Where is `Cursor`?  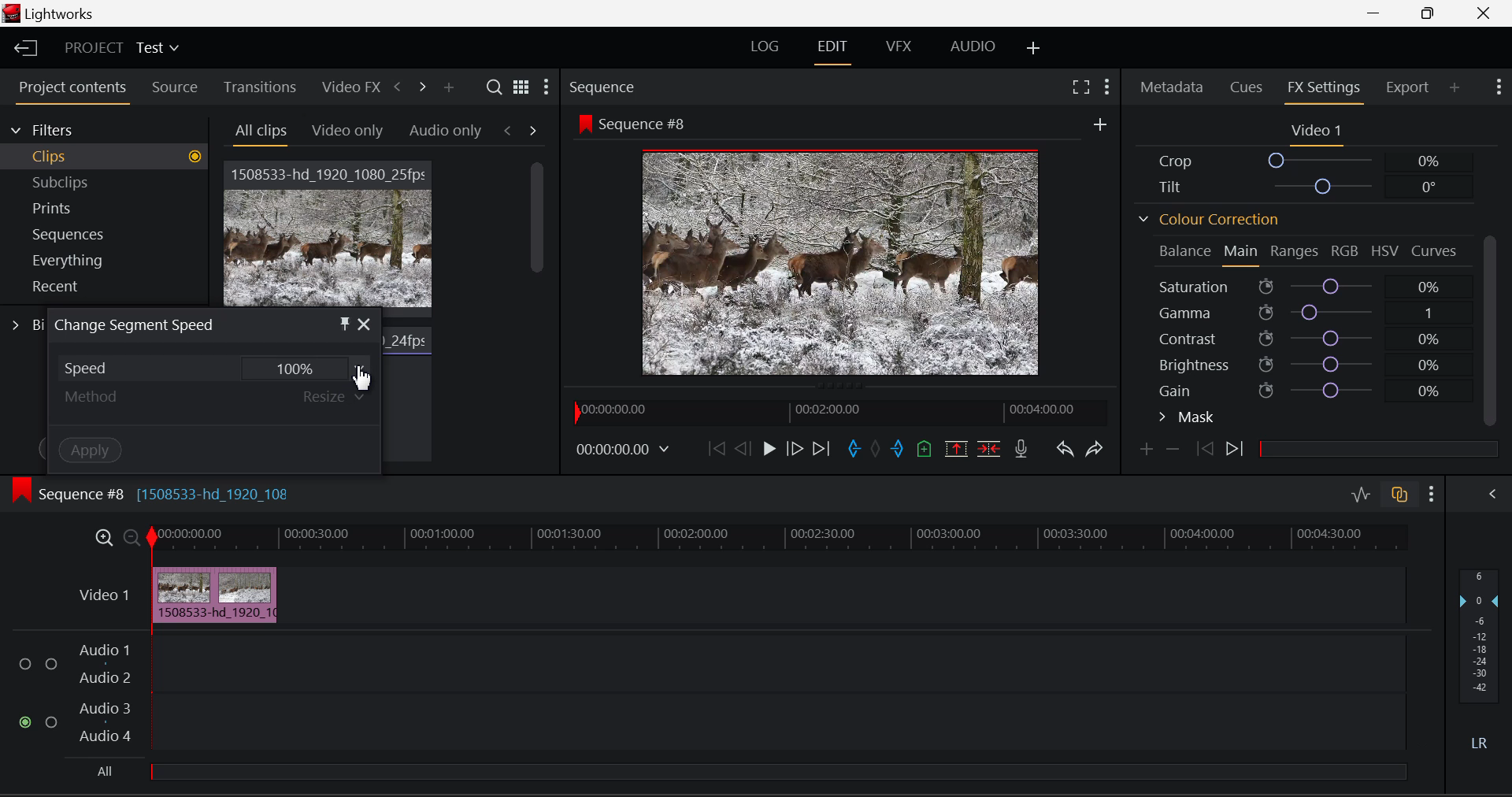
Cursor is located at coordinates (361, 377).